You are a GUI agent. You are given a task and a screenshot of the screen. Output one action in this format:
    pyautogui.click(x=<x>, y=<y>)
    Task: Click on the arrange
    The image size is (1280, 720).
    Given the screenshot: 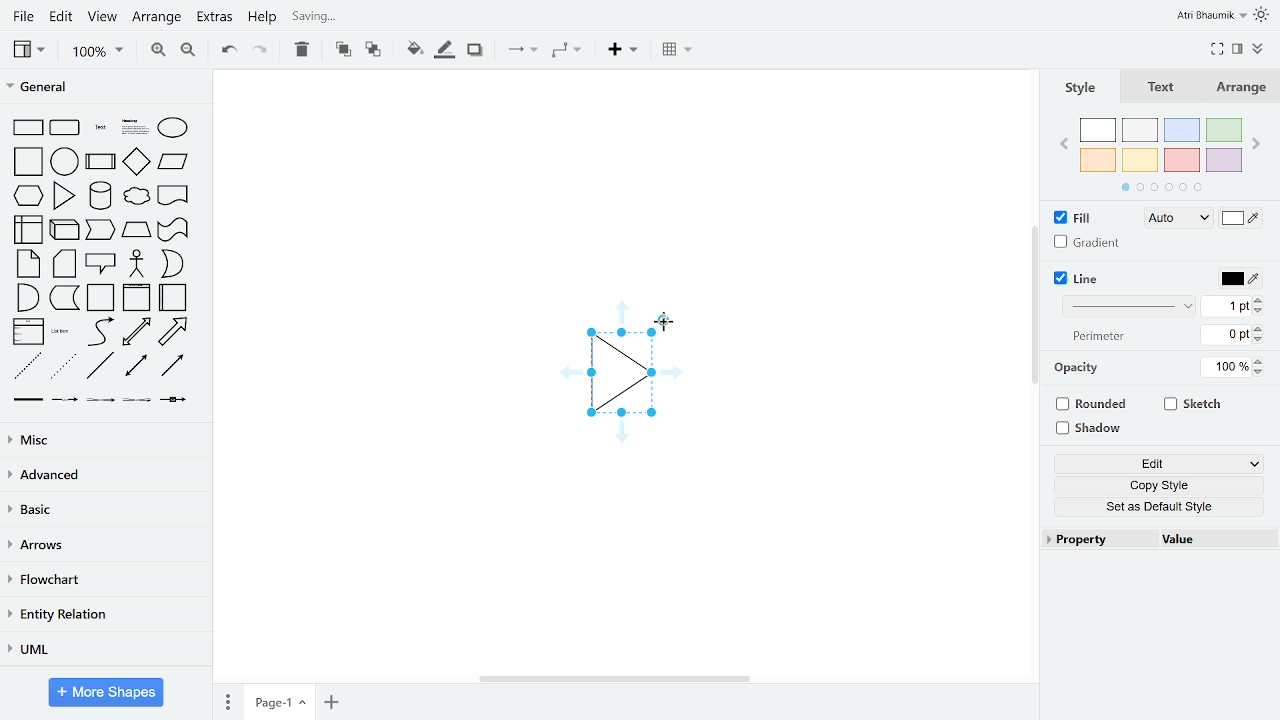 What is the action you would take?
    pyautogui.click(x=1246, y=87)
    